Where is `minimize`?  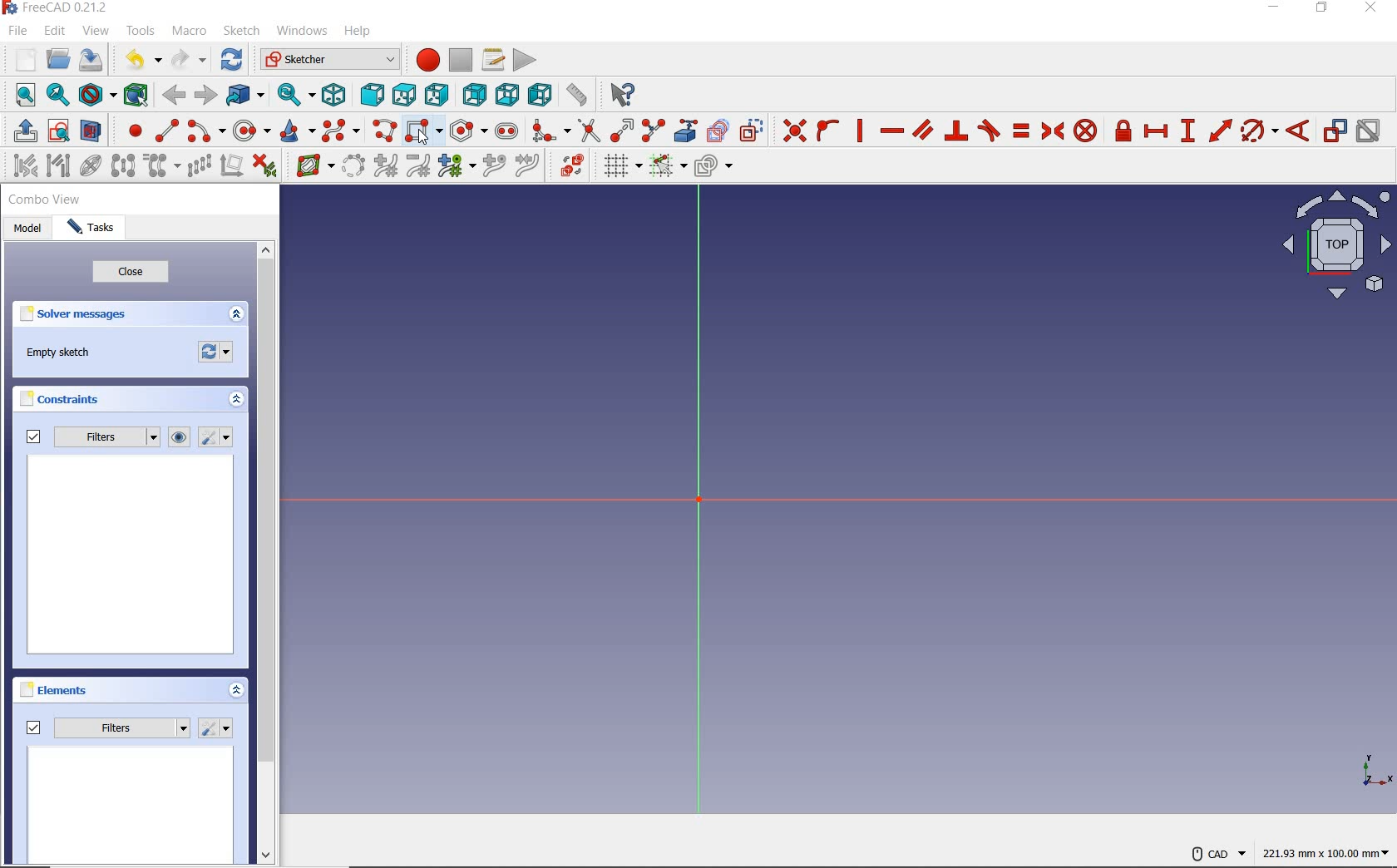 minimize is located at coordinates (1275, 9).